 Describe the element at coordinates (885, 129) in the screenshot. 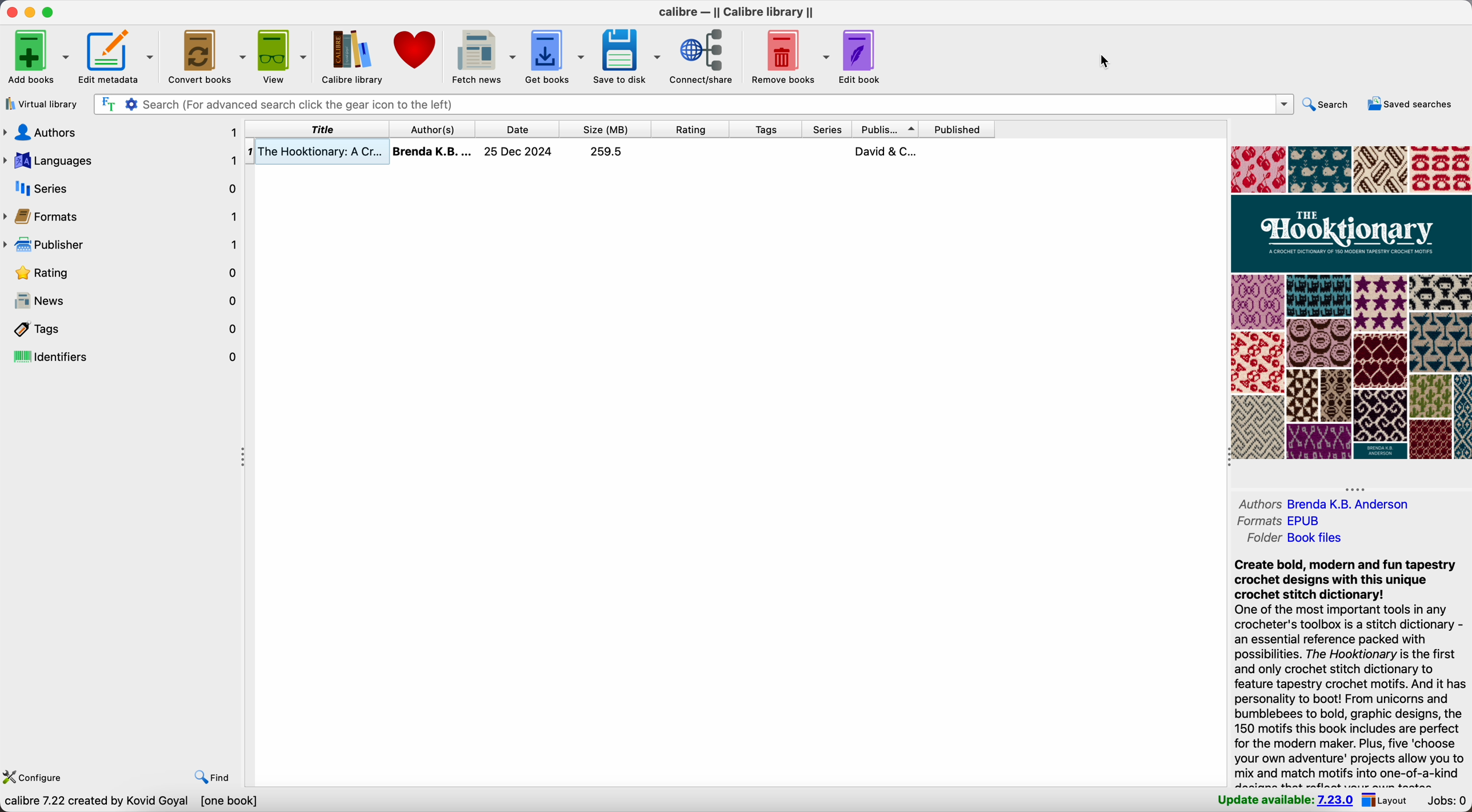

I see `publisher` at that location.